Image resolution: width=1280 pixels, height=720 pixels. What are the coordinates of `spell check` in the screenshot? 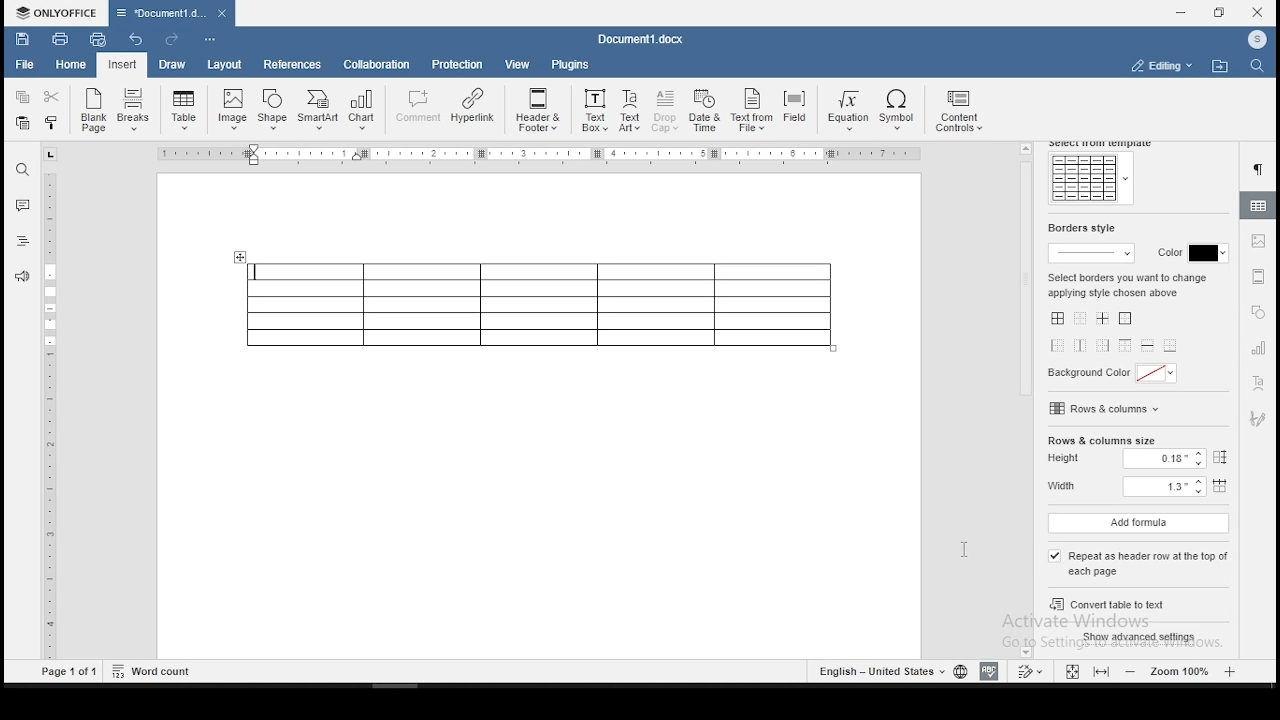 It's located at (989, 672).